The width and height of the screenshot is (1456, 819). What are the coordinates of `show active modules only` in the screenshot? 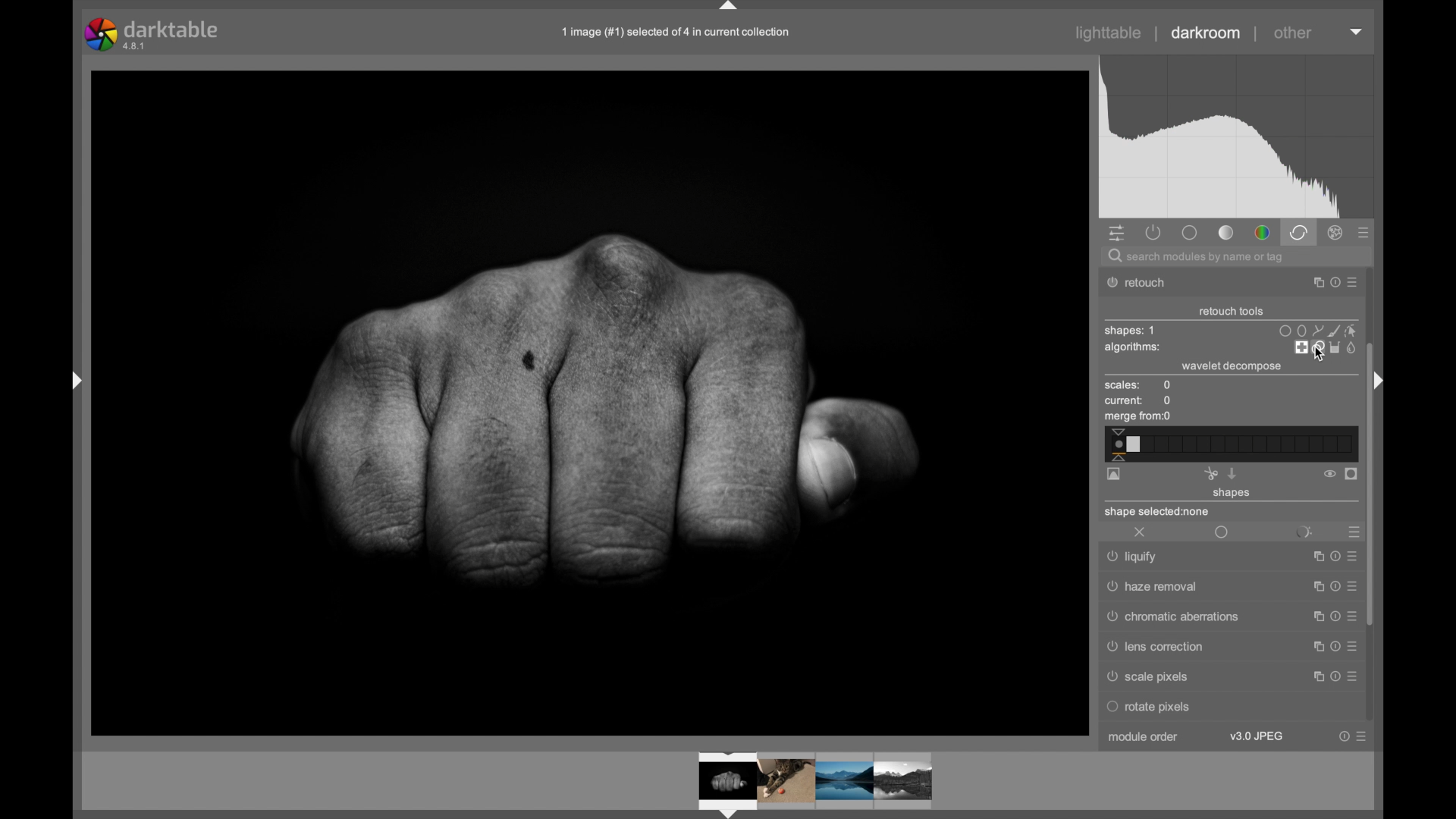 It's located at (1154, 232).